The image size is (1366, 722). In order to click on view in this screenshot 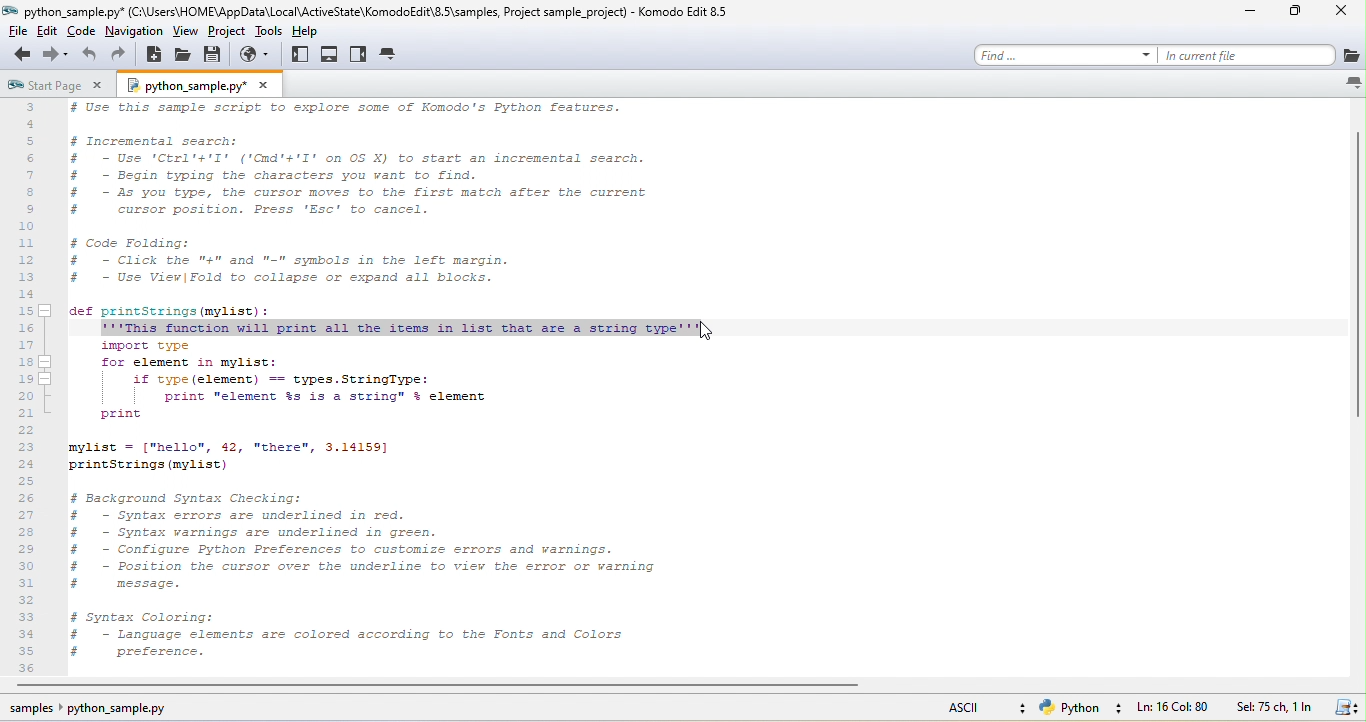, I will do `click(184, 32)`.